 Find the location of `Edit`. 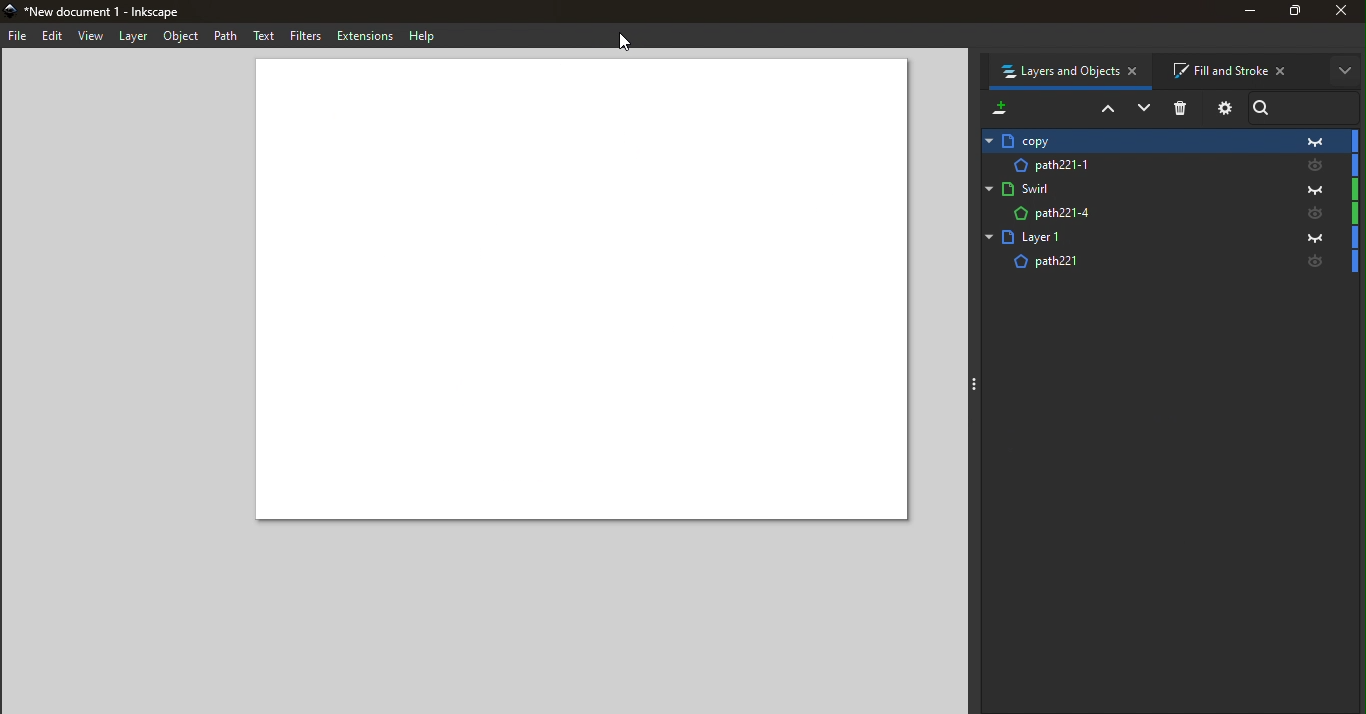

Edit is located at coordinates (53, 36).